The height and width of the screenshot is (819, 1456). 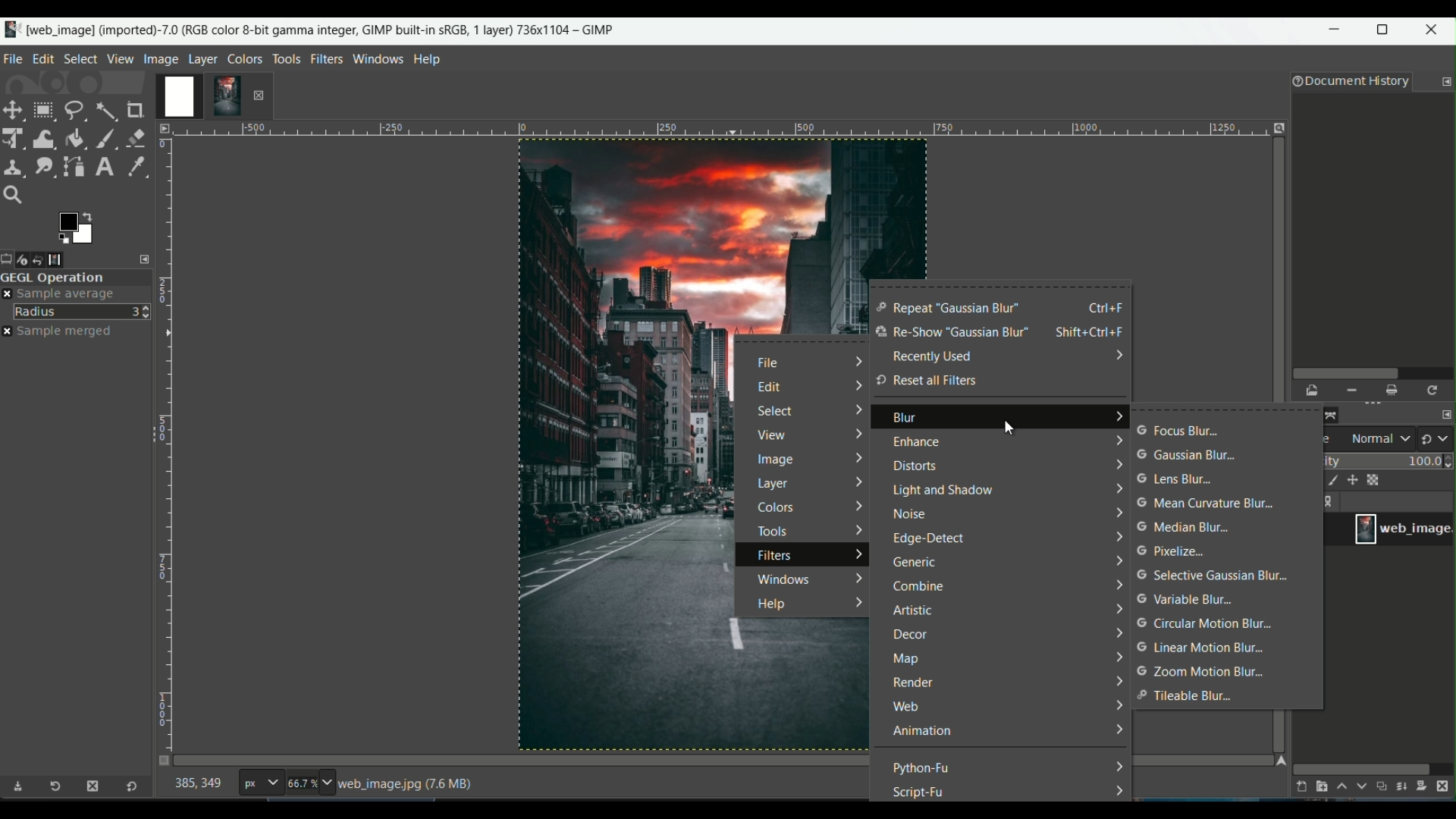 I want to click on help tab, so click(x=428, y=58).